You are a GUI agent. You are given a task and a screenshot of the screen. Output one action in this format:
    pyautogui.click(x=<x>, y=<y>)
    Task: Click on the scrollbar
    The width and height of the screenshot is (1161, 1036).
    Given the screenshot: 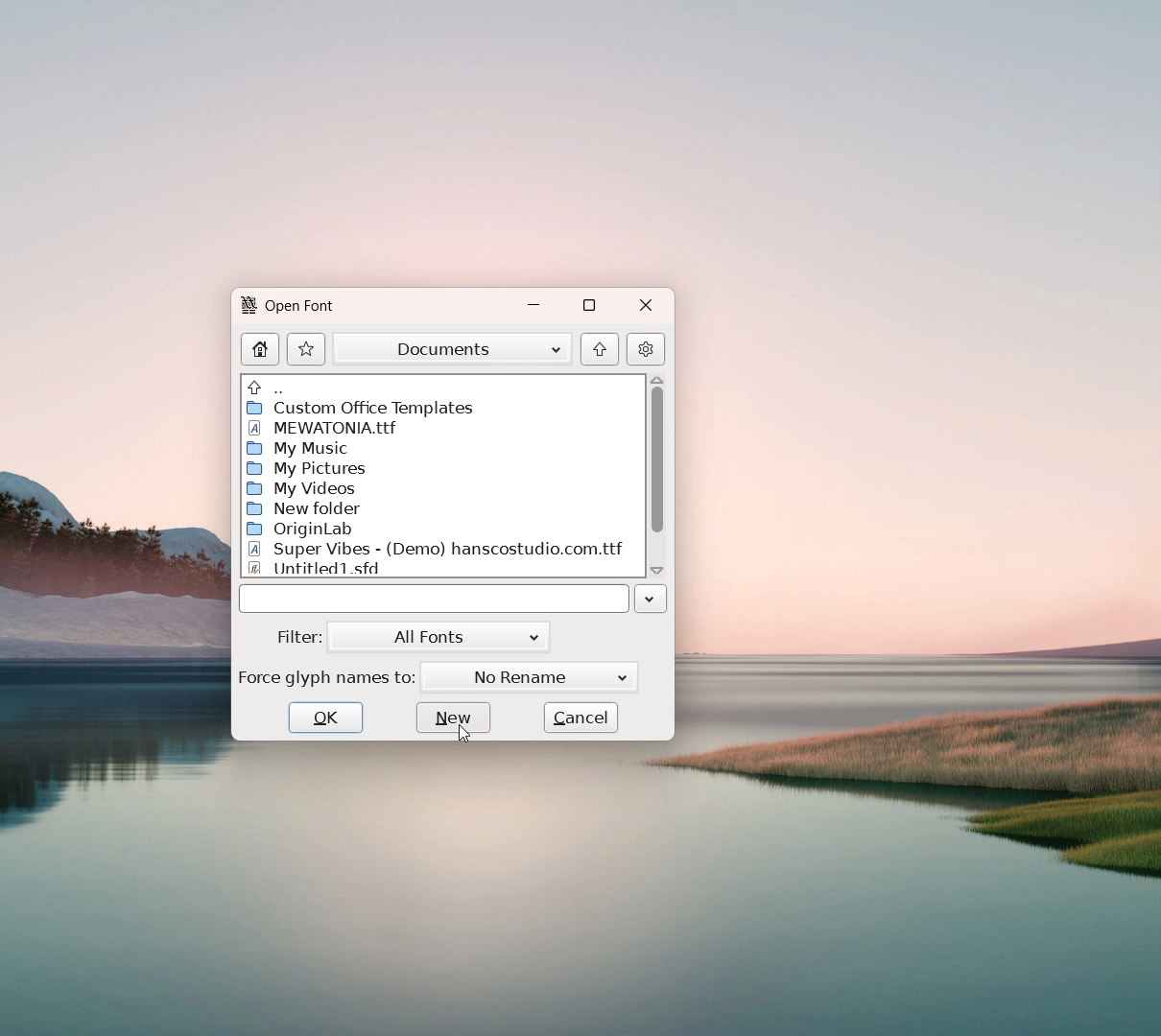 What is the action you would take?
    pyautogui.click(x=657, y=461)
    